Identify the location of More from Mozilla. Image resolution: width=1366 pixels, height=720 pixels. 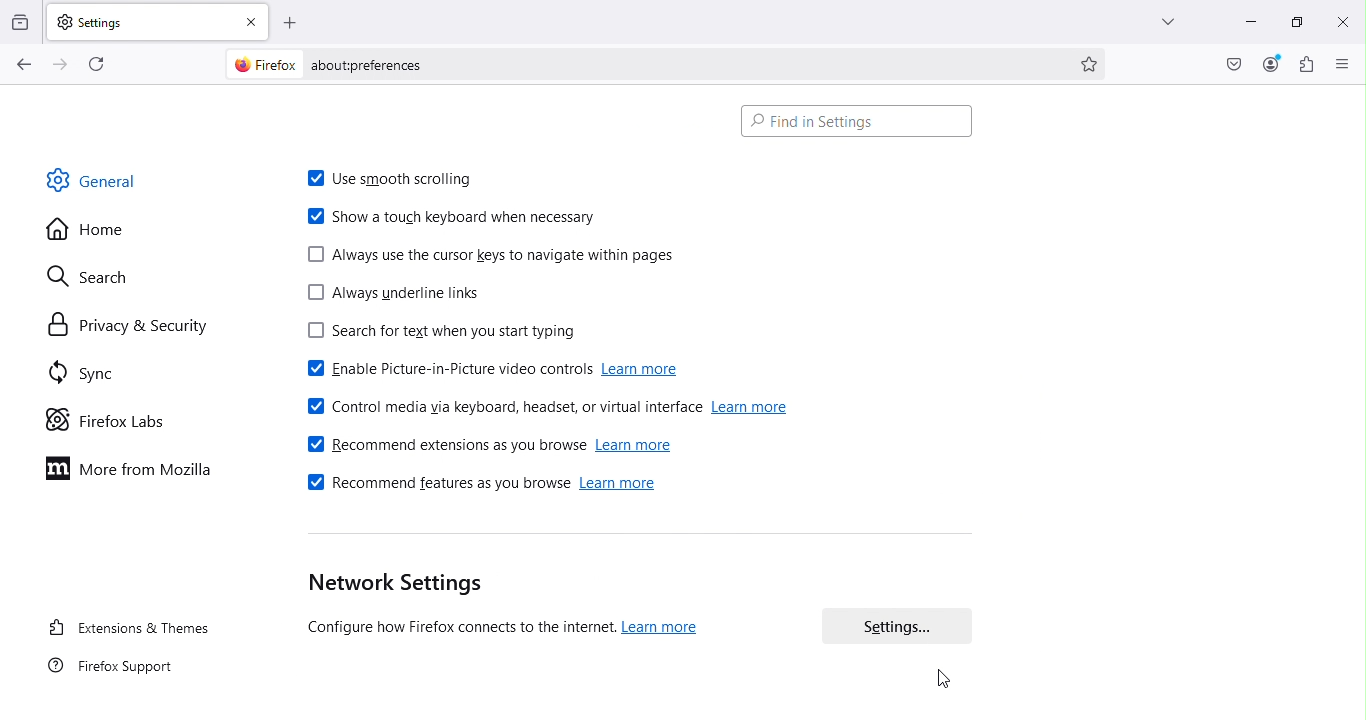
(135, 473).